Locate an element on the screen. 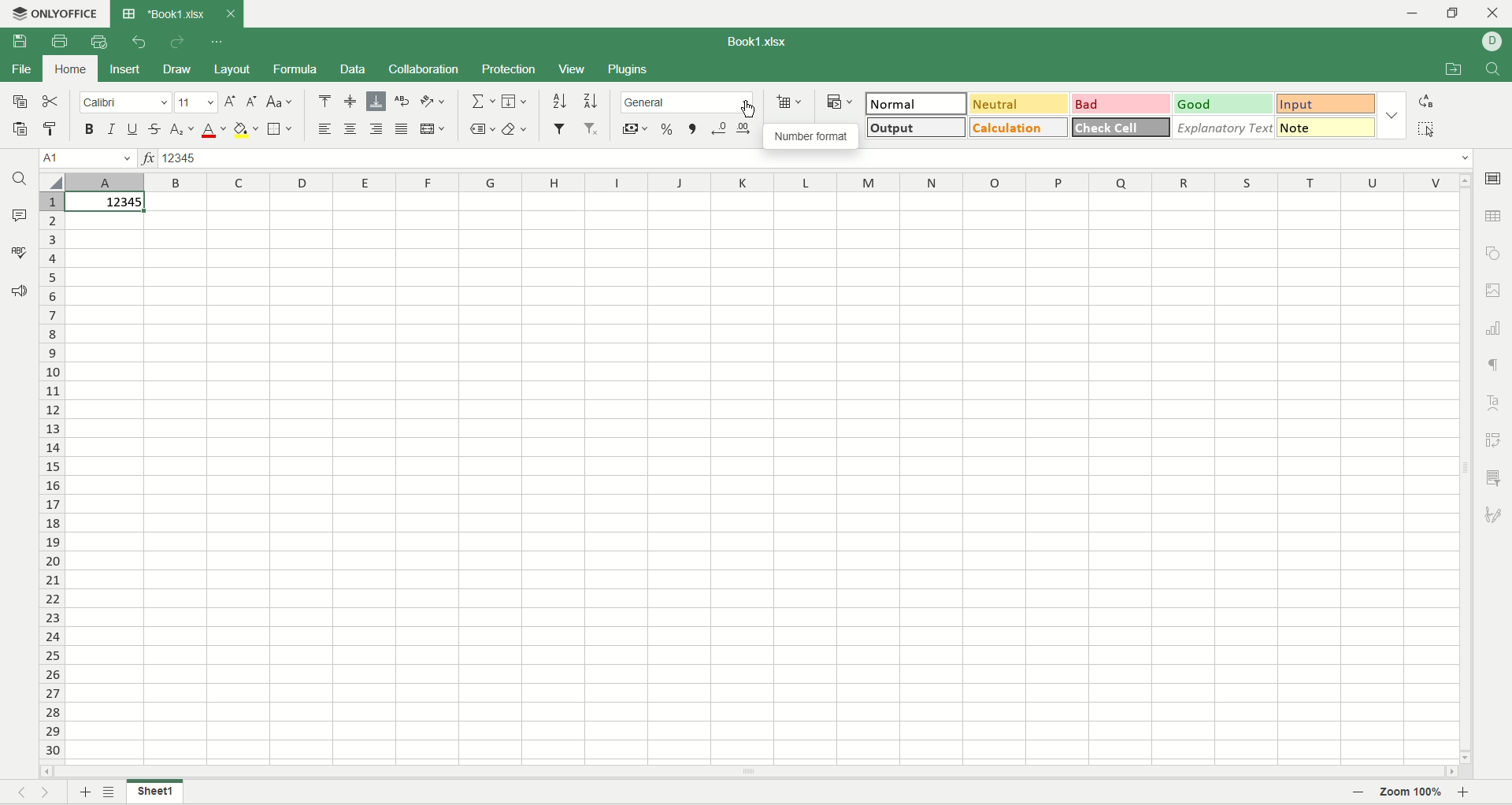 This screenshot has width=1512, height=805. sheet name is located at coordinates (154, 792).